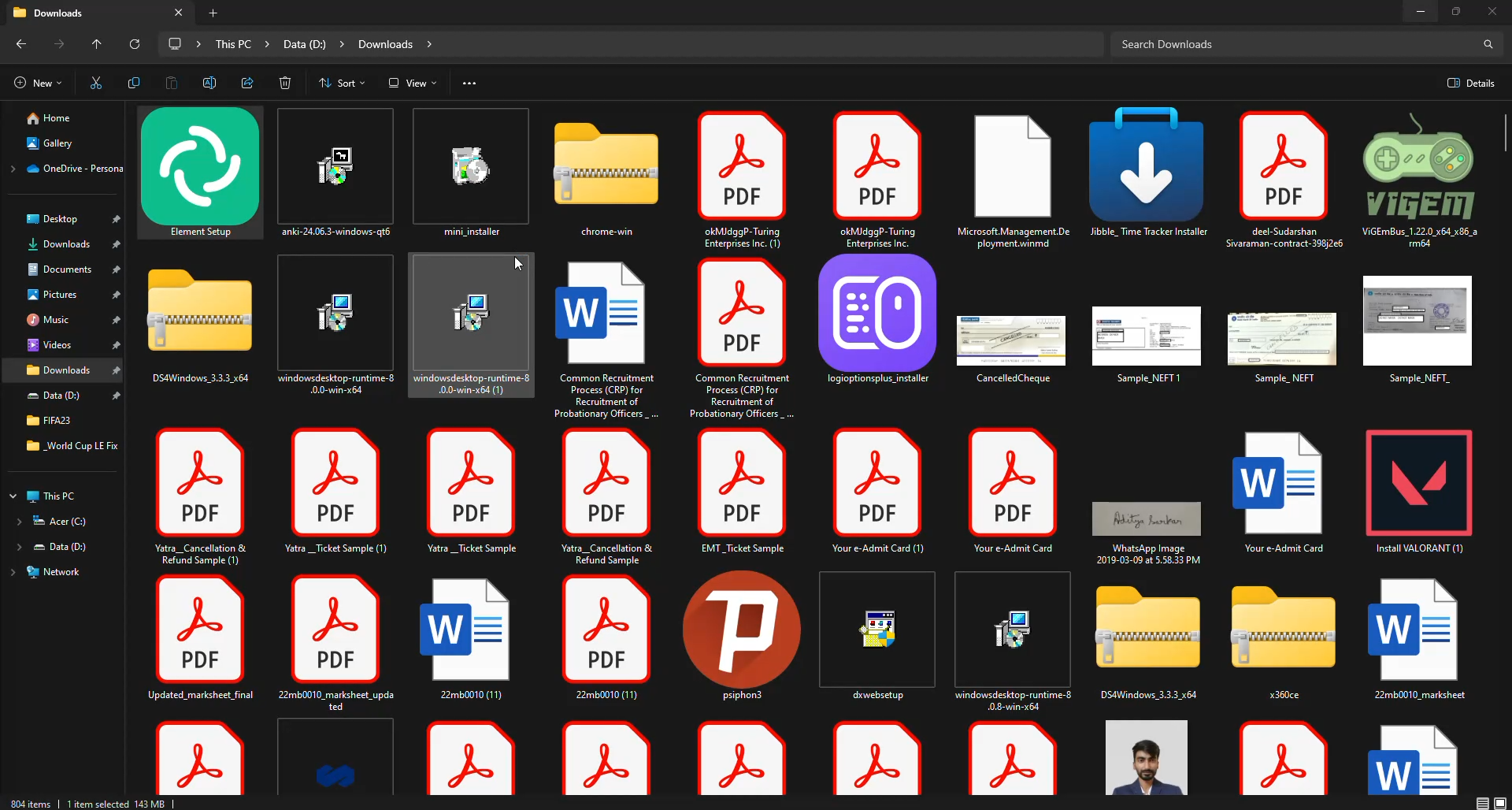  What do you see at coordinates (341, 84) in the screenshot?
I see `sort` at bounding box center [341, 84].